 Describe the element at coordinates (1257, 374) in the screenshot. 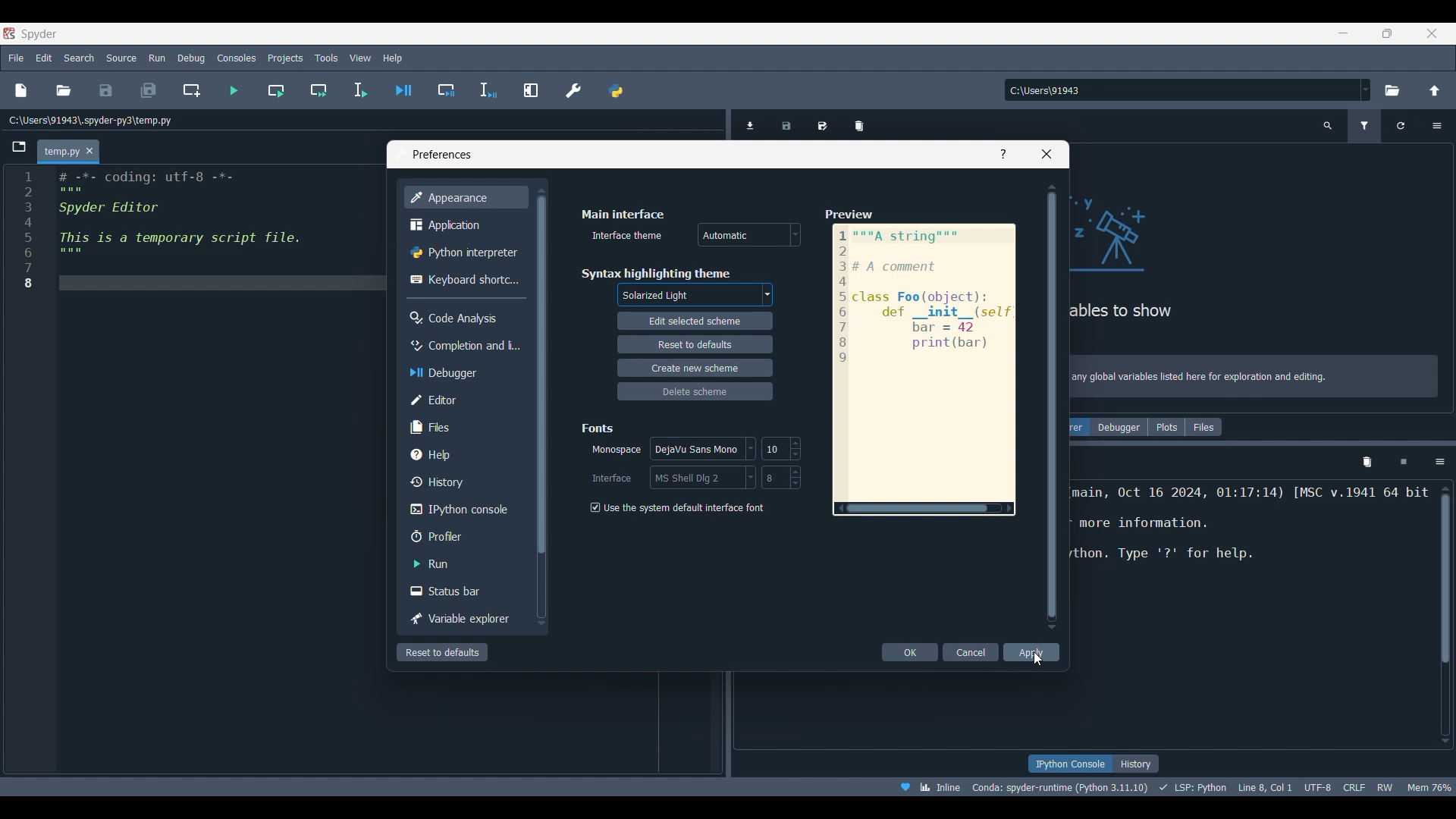

I see `notice` at that location.